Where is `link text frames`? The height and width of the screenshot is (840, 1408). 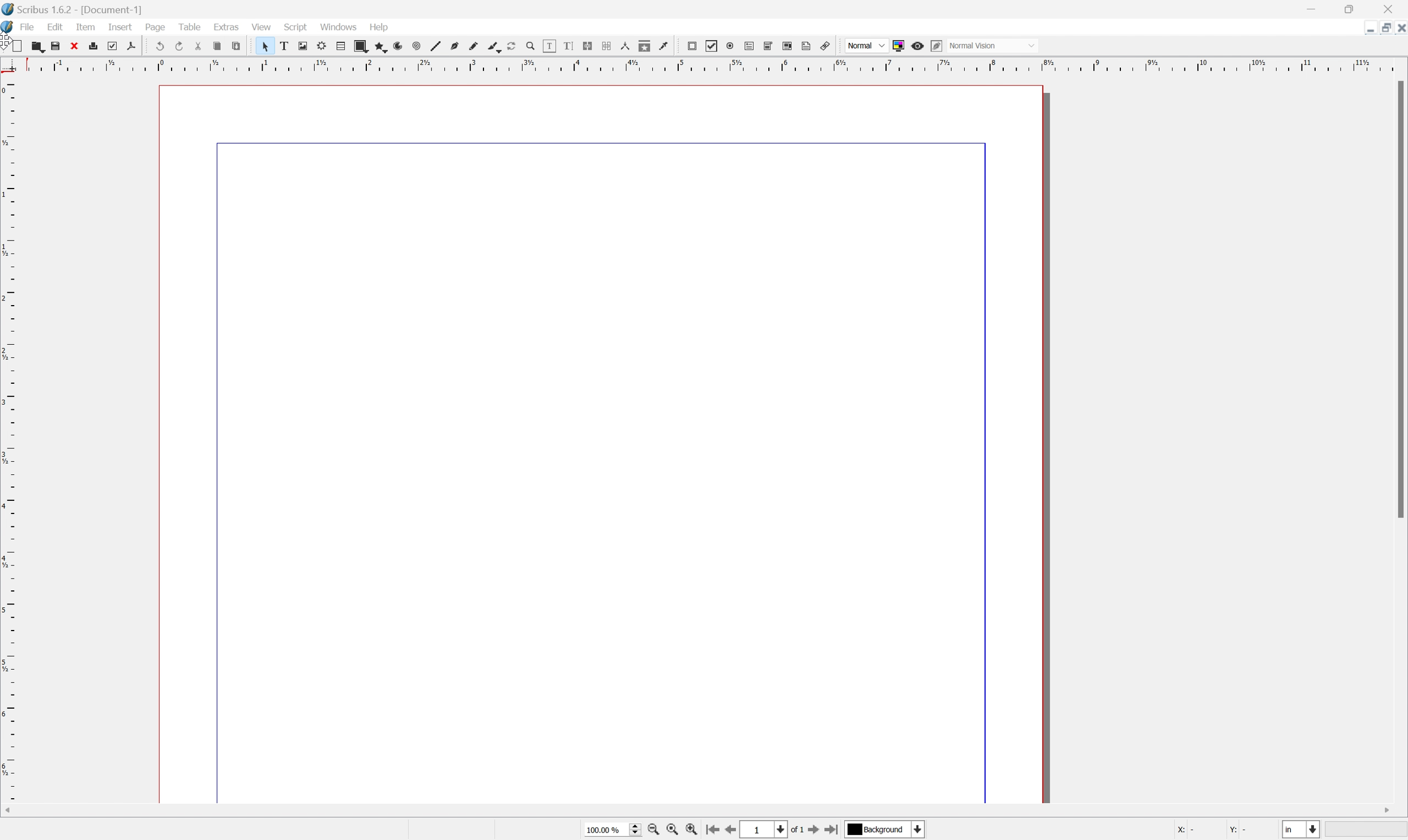
link text frames is located at coordinates (588, 46).